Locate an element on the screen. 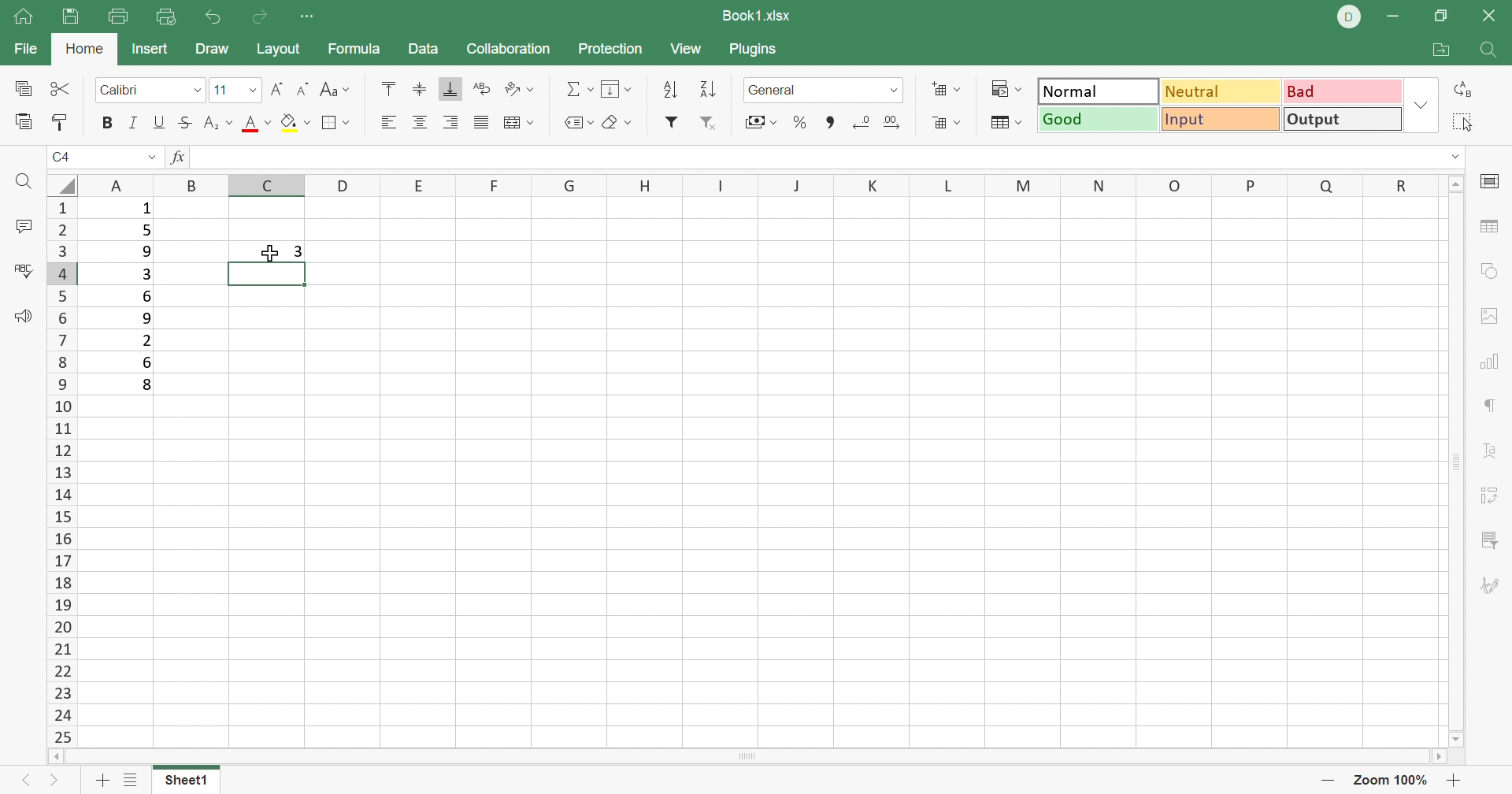 This screenshot has width=1512, height=794. Strikethrough is located at coordinates (184, 121).